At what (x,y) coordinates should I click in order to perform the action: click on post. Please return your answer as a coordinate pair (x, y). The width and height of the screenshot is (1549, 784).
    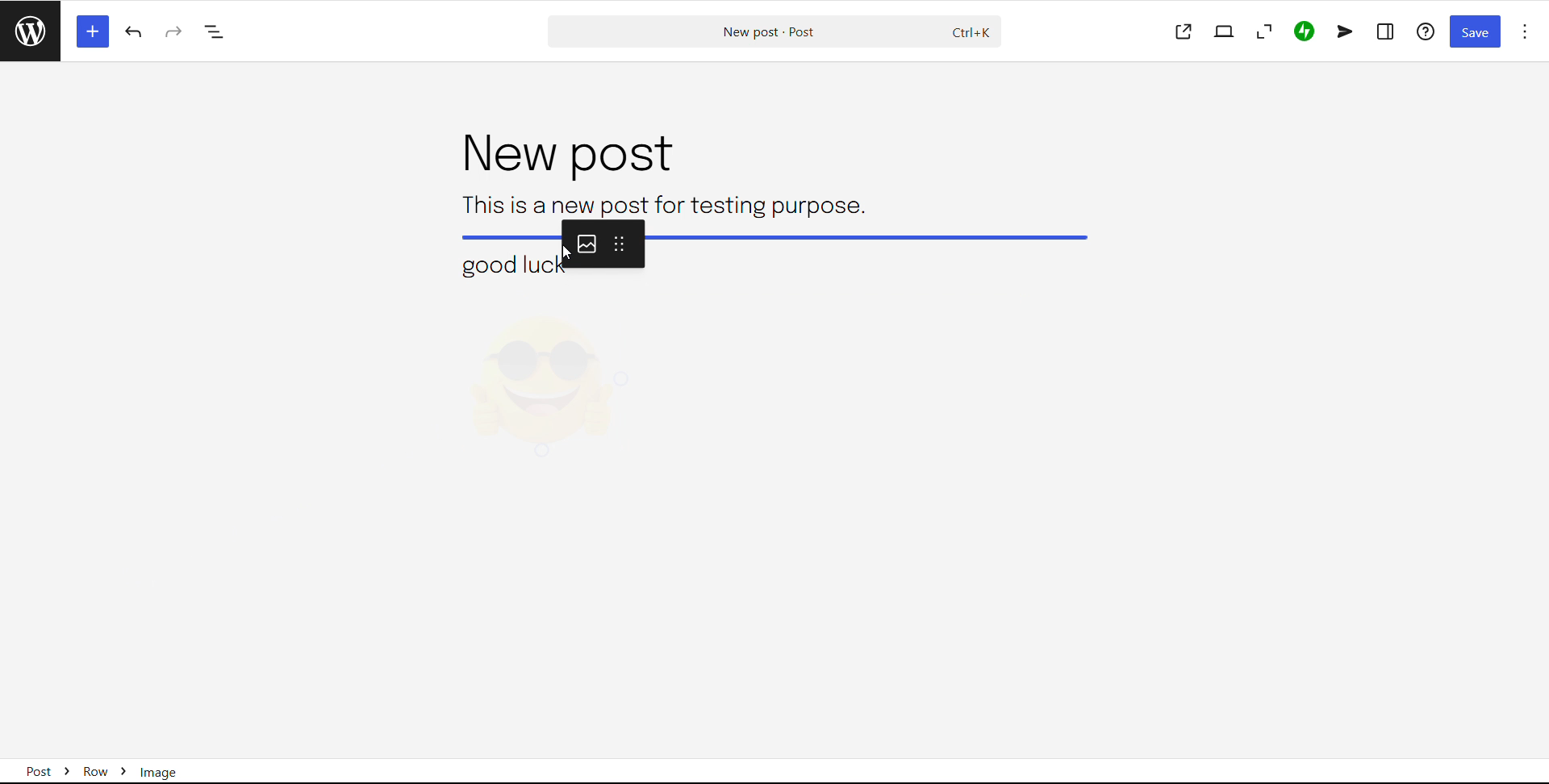
    Looking at the image, I should click on (563, 155).